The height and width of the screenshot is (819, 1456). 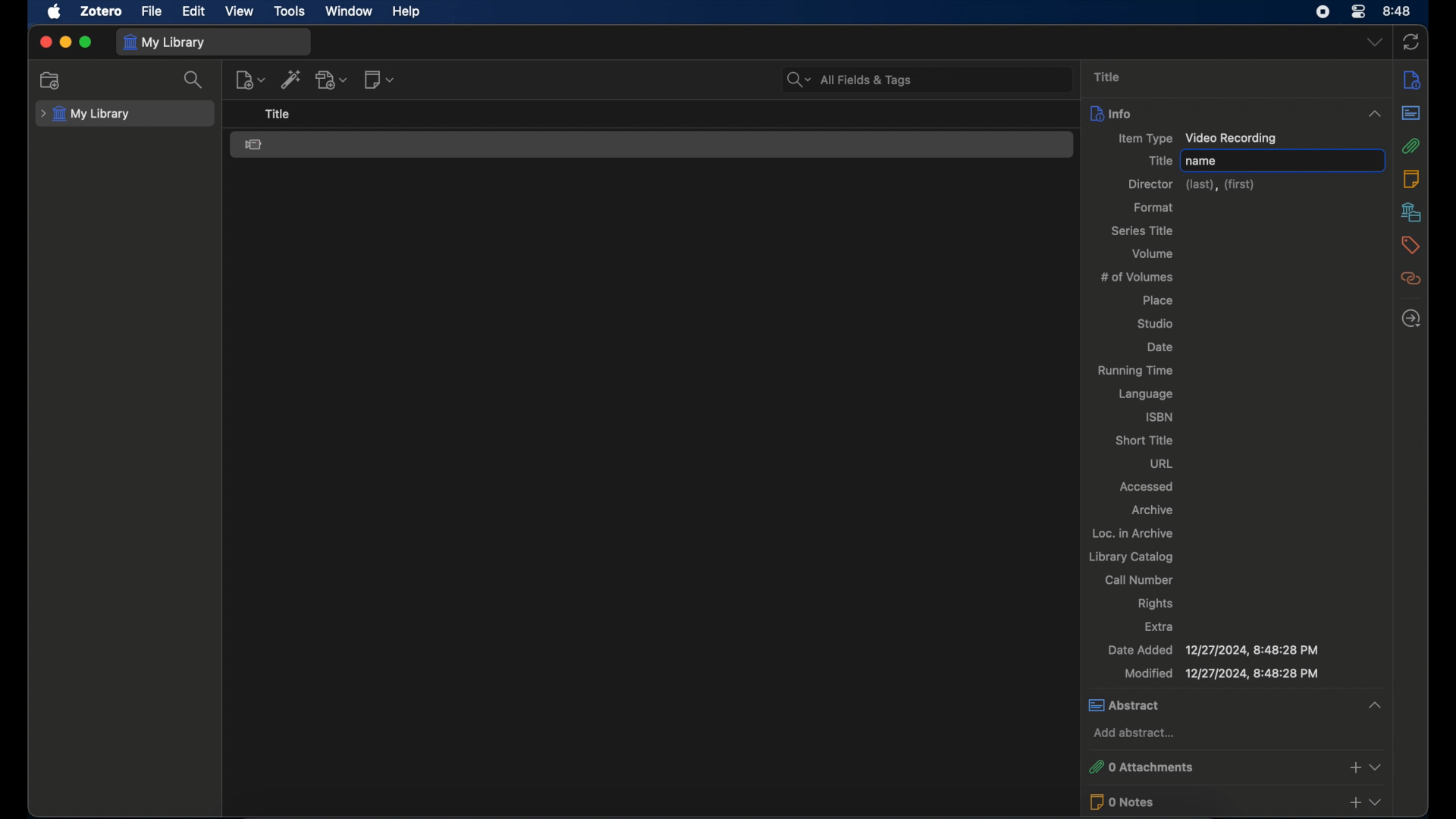 I want to click on accessed, so click(x=1148, y=486).